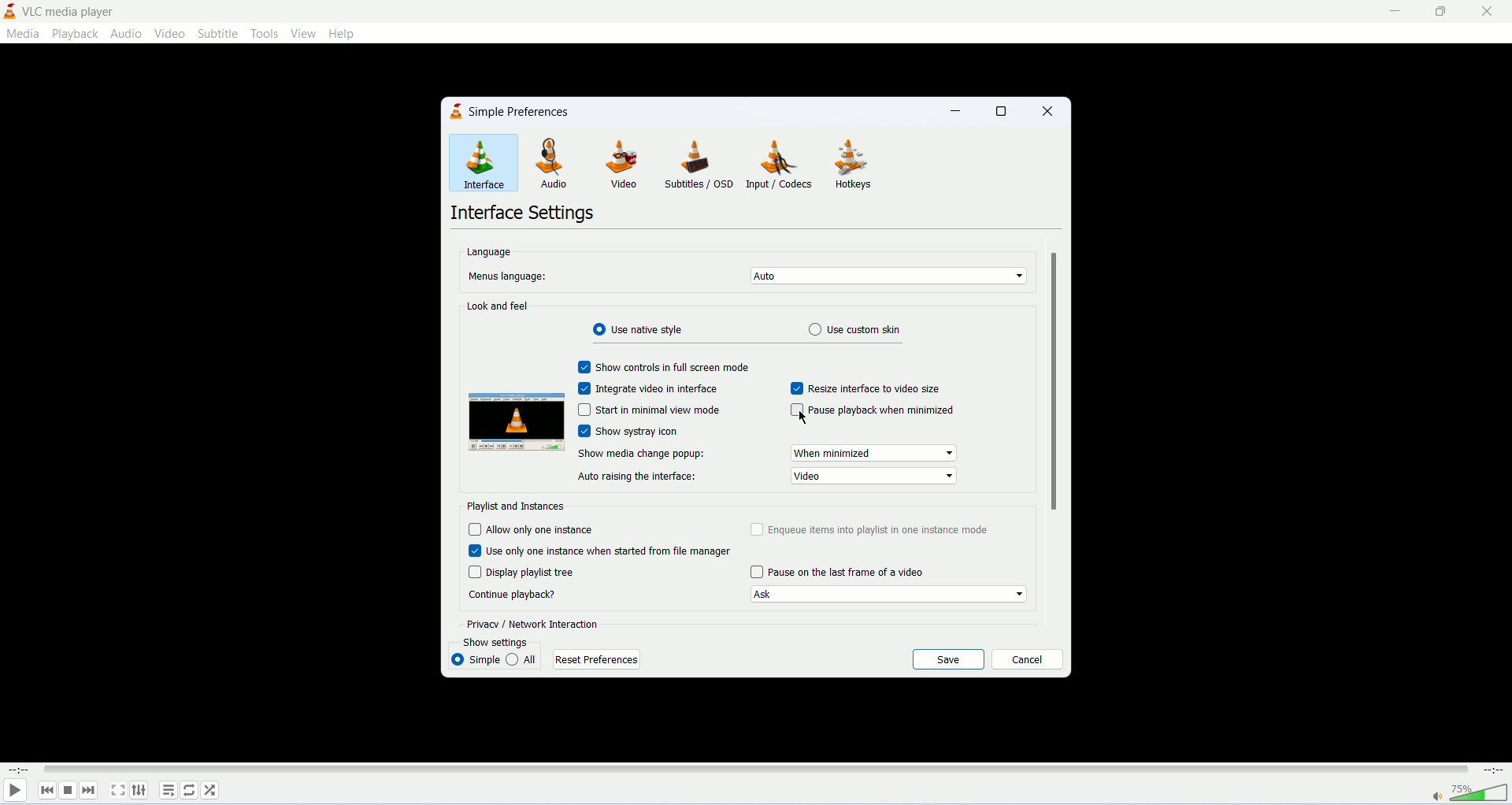 Image resolution: width=1512 pixels, height=805 pixels. I want to click on show controls in full screen, so click(671, 367).